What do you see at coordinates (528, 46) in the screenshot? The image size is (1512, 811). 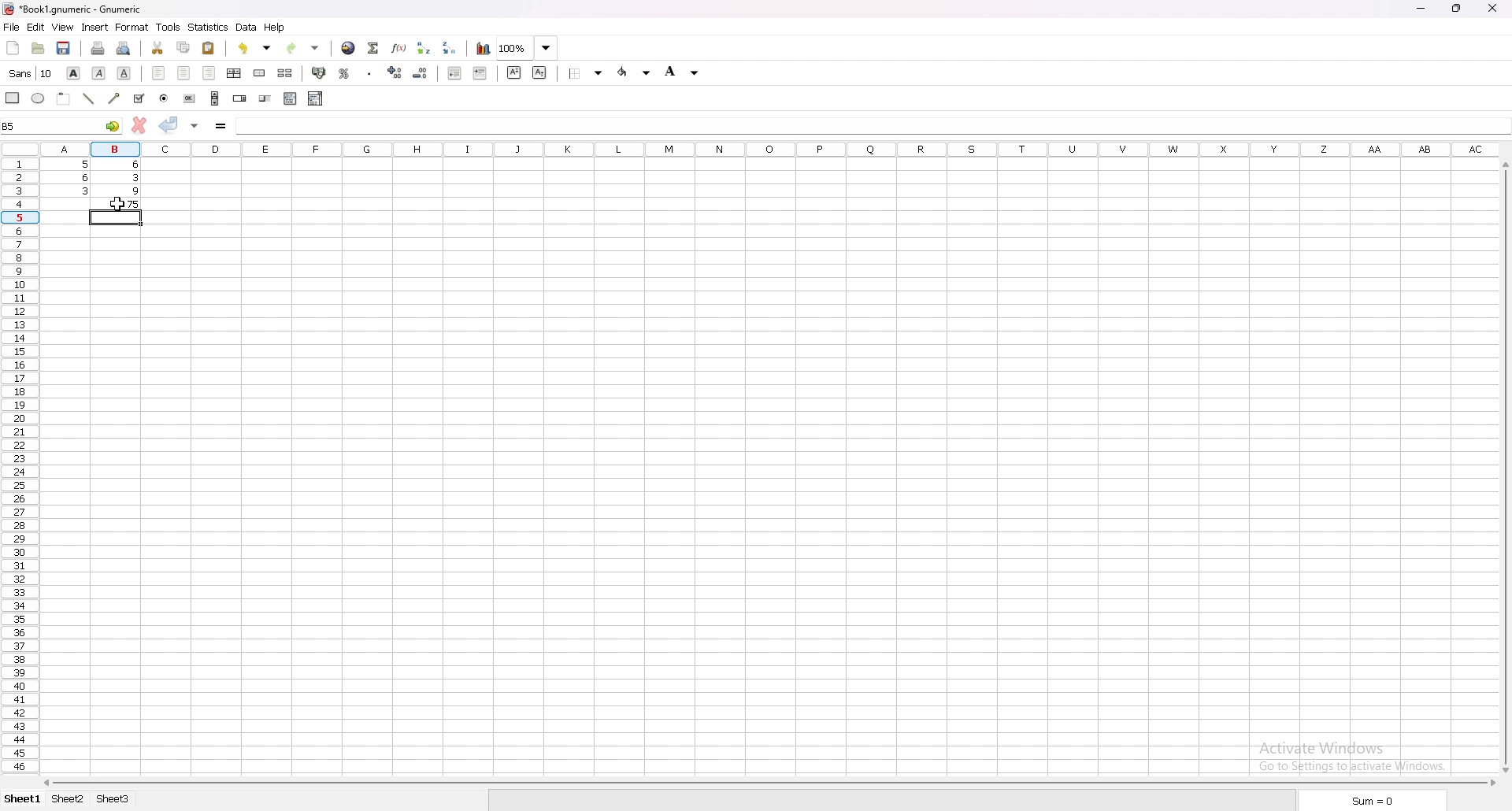 I see `zoom` at bounding box center [528, 46].